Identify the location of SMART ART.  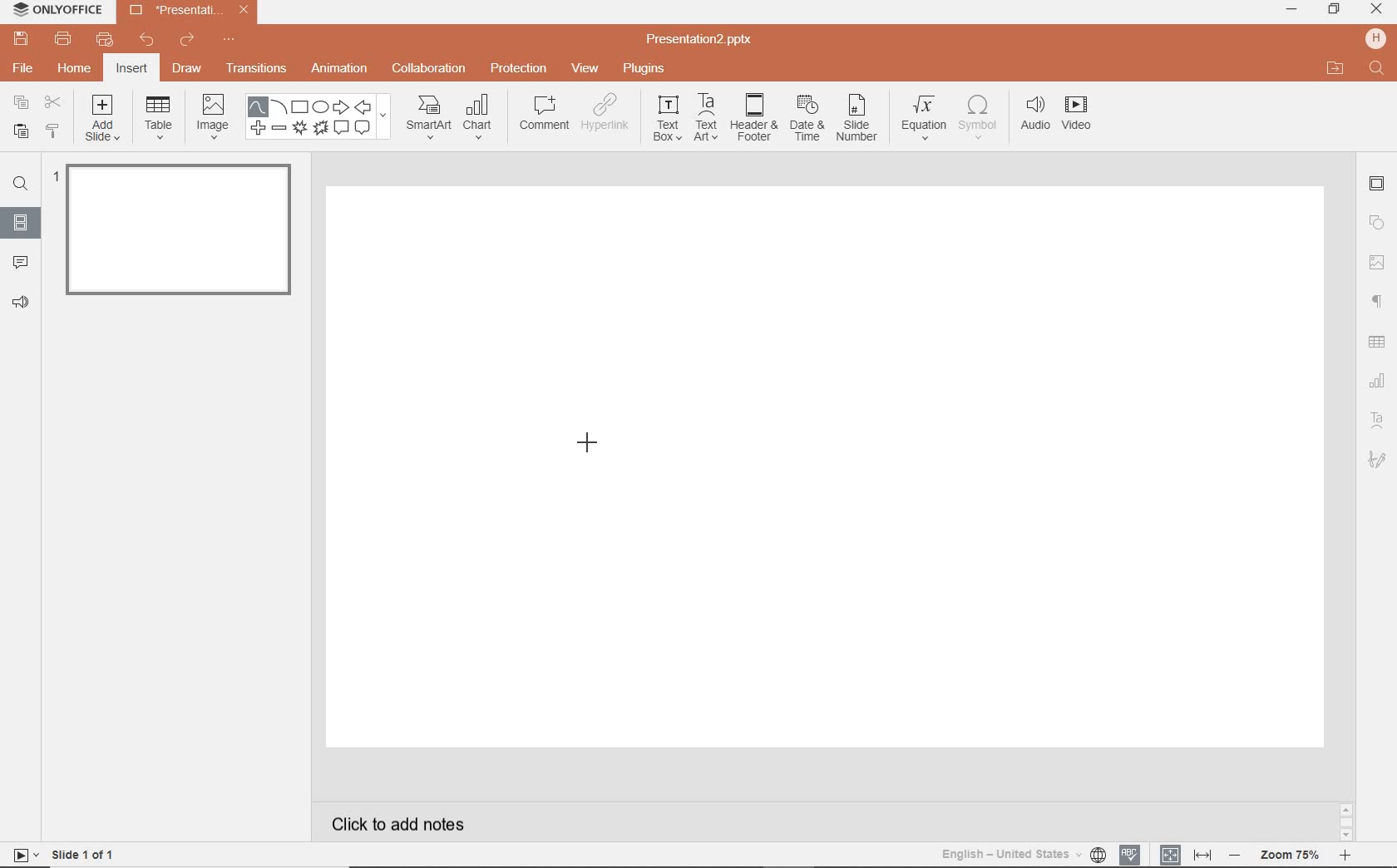
(427, 119).